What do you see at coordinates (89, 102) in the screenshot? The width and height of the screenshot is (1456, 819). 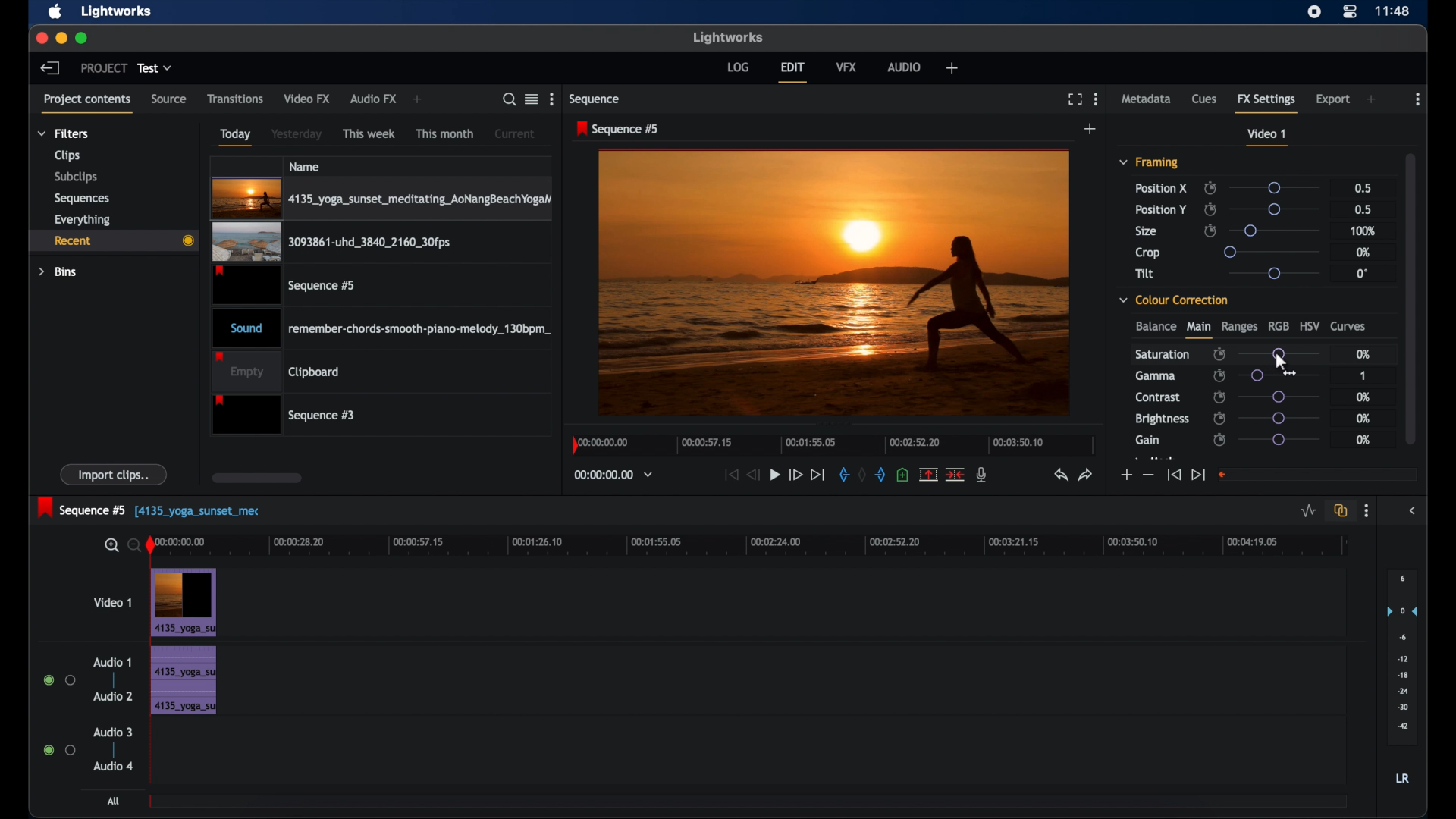 I see `project contents` at bounding box center [89, 102].